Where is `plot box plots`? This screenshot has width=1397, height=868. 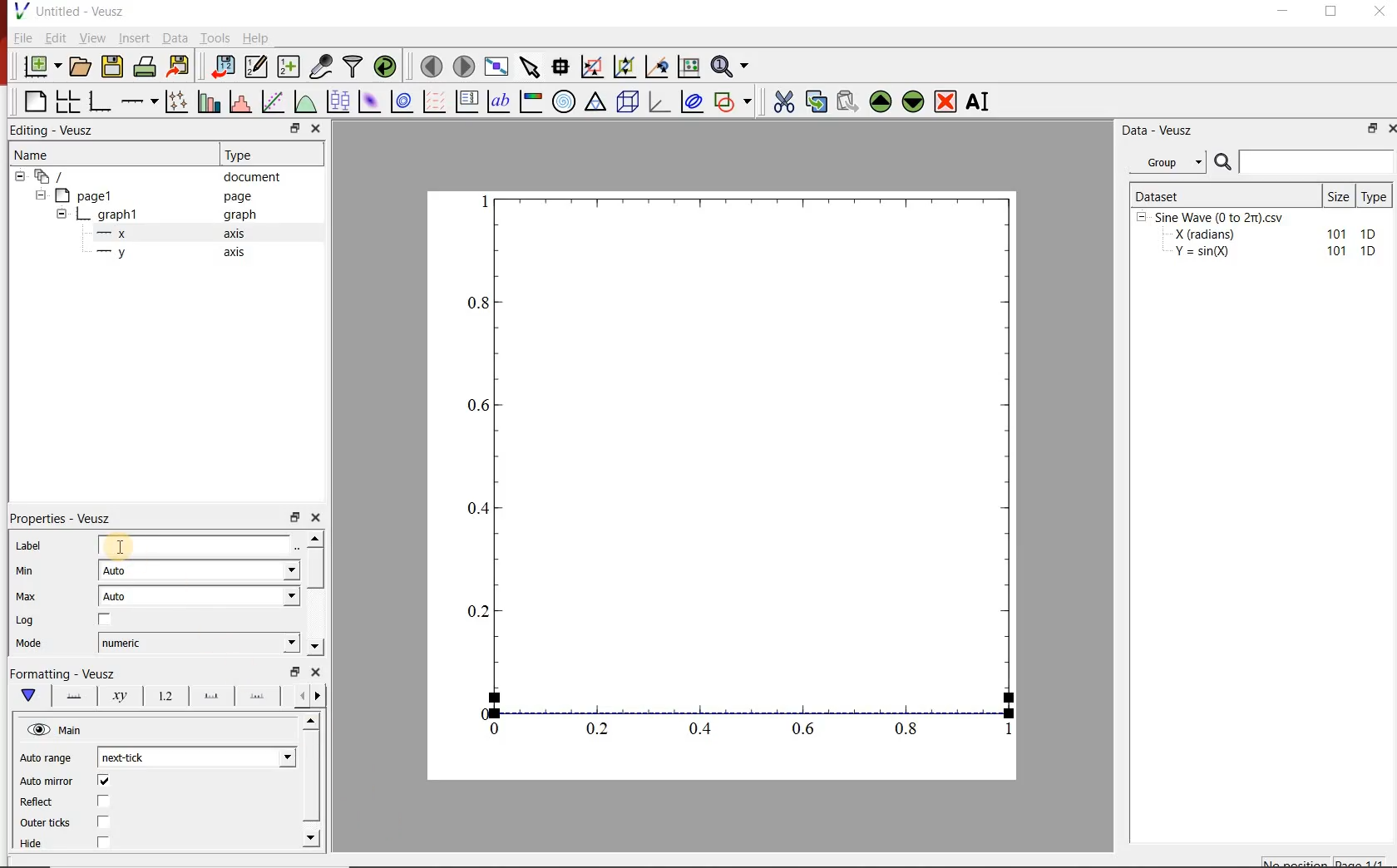 plot box plots is located at coordinates (339, 102).